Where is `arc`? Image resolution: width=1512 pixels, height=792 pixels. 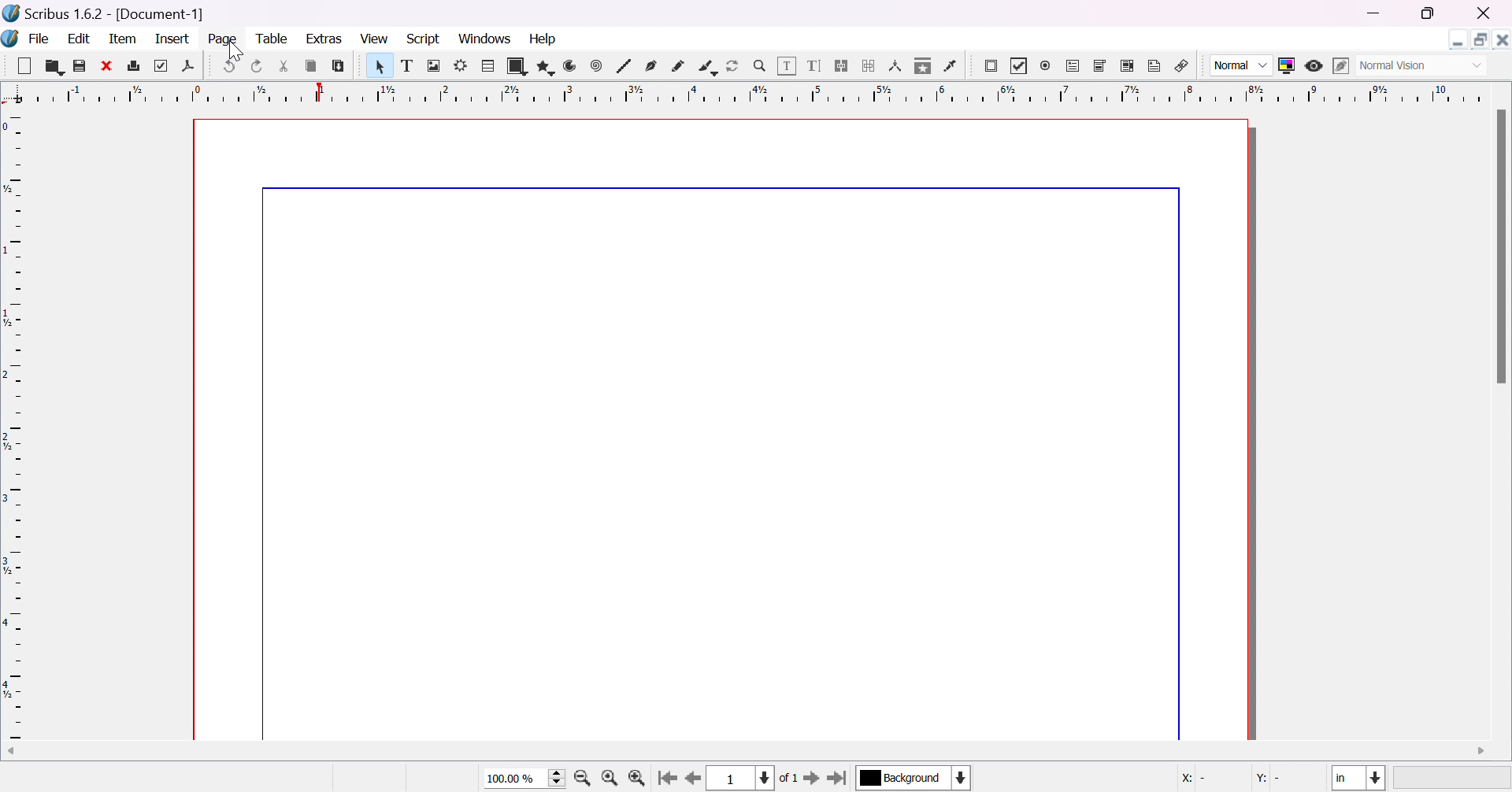
arc is located at coordinates (571, 68).